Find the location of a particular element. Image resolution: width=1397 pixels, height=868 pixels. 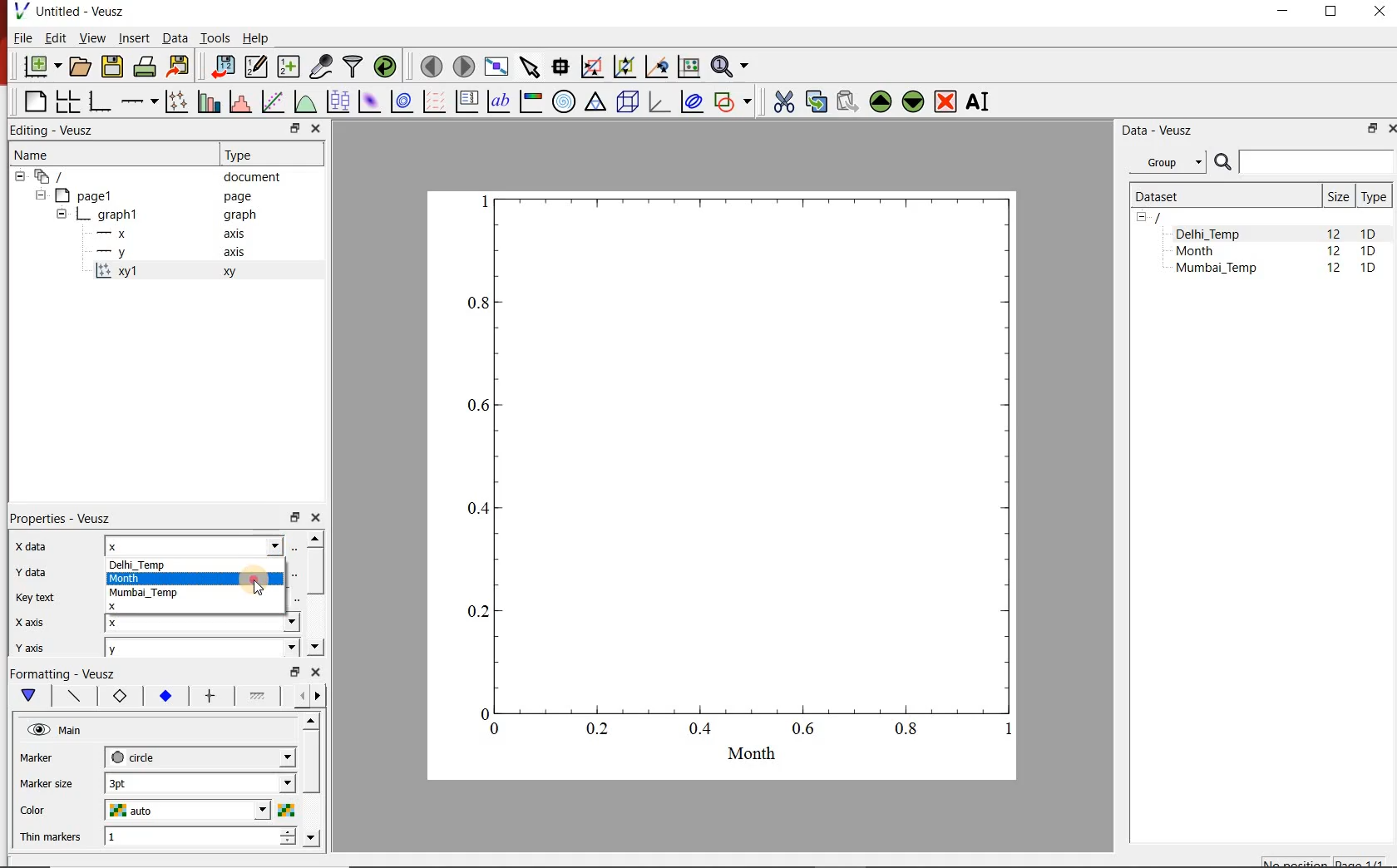

View is located at coordinates (91, 37).